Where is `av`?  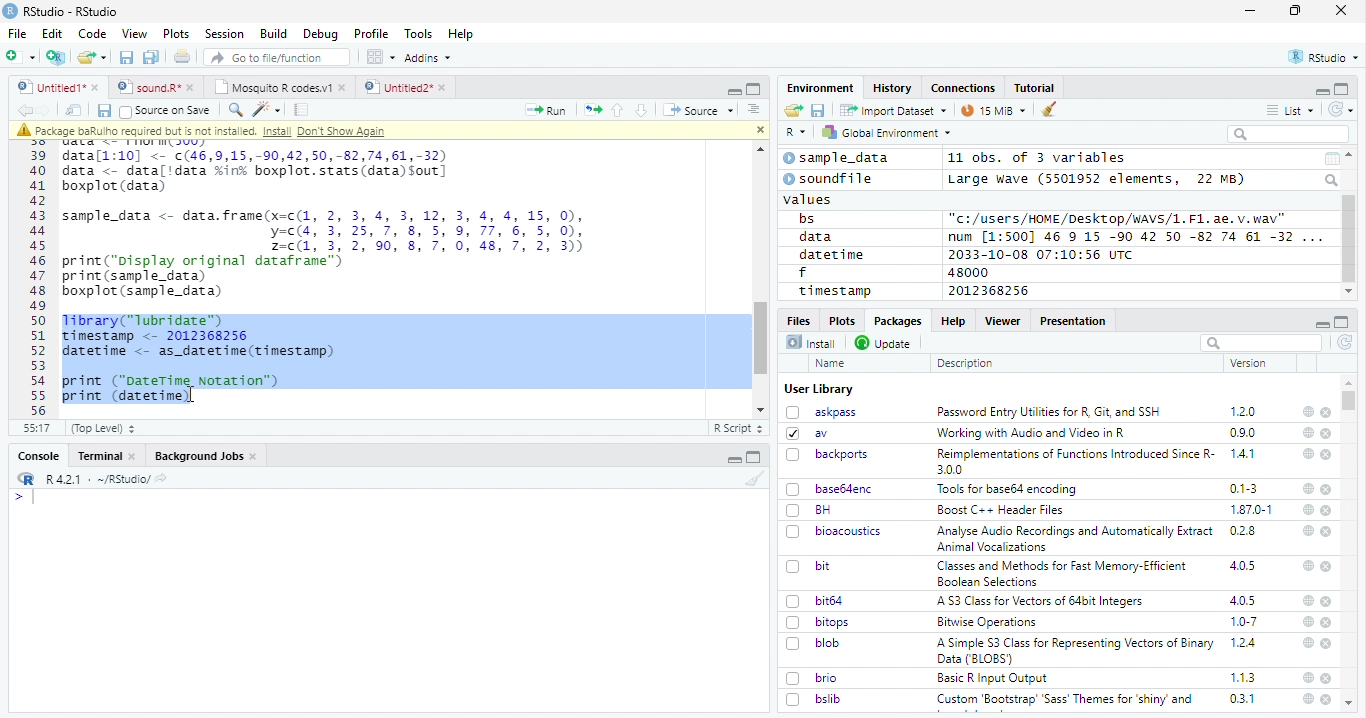
av is located at coordinates (807, 432).